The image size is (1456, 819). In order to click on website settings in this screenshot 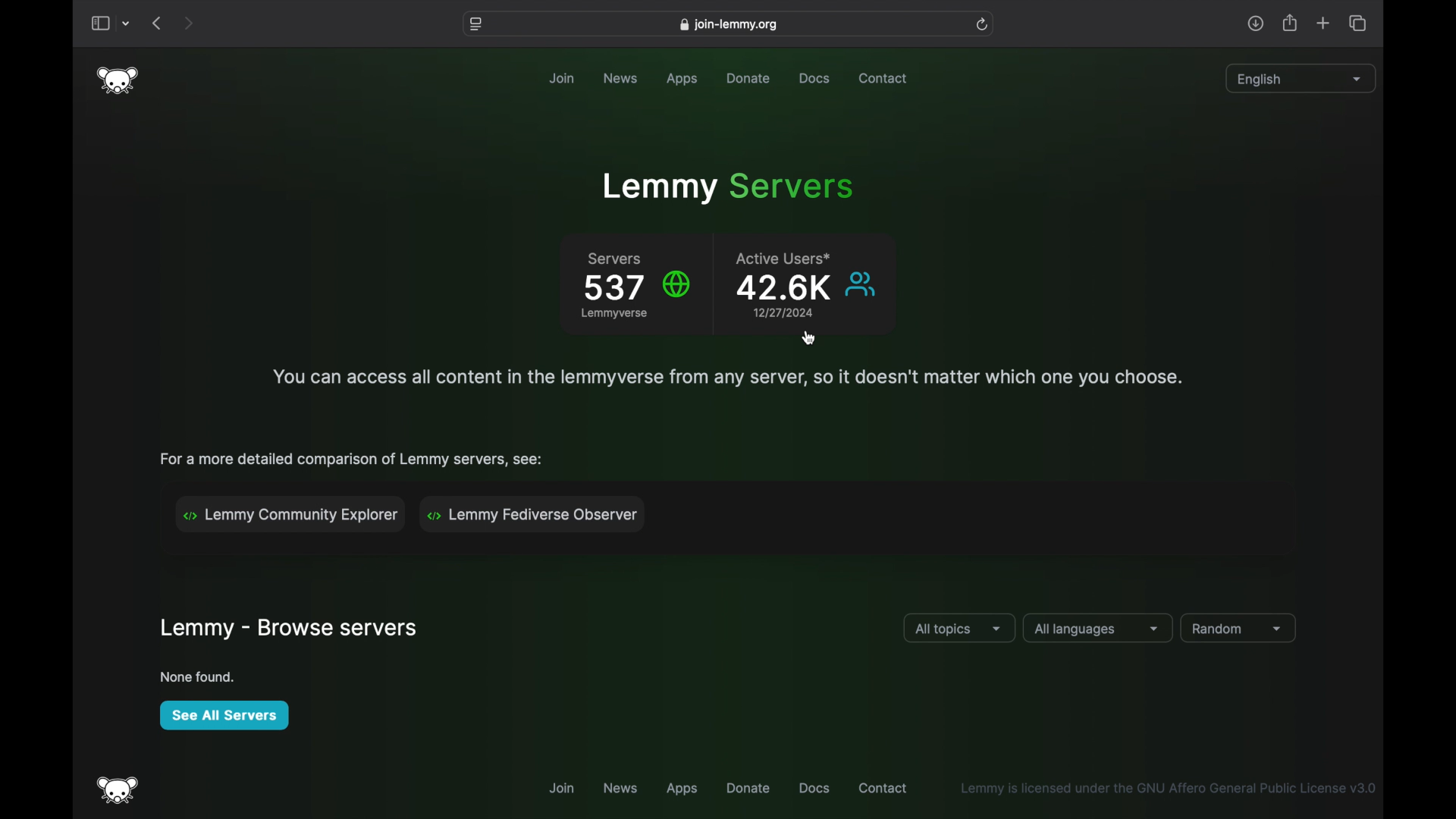, I will do `click(475, 24)`.